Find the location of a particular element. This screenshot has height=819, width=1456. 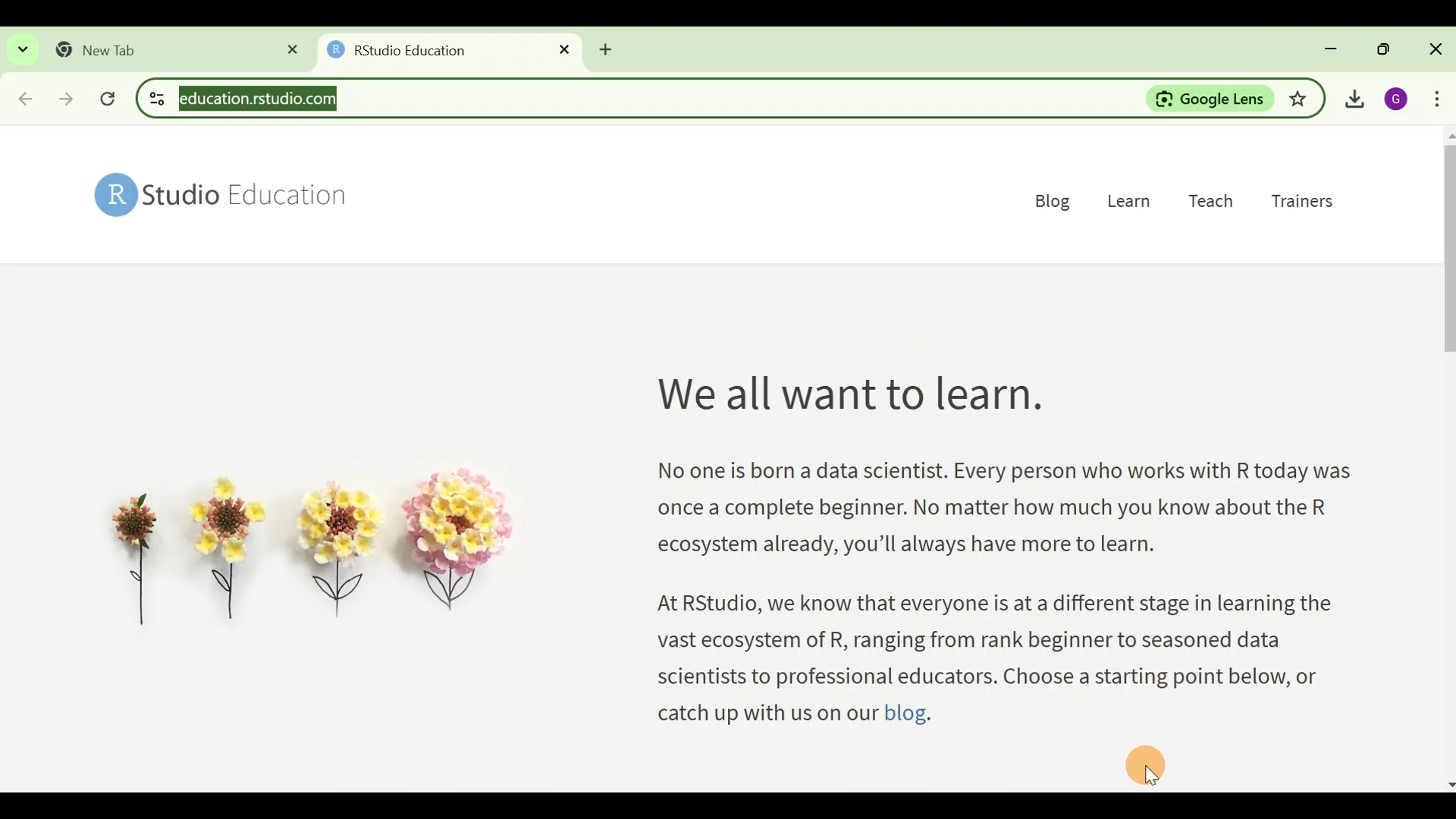

Close tab is located at coordinates (559, 50).